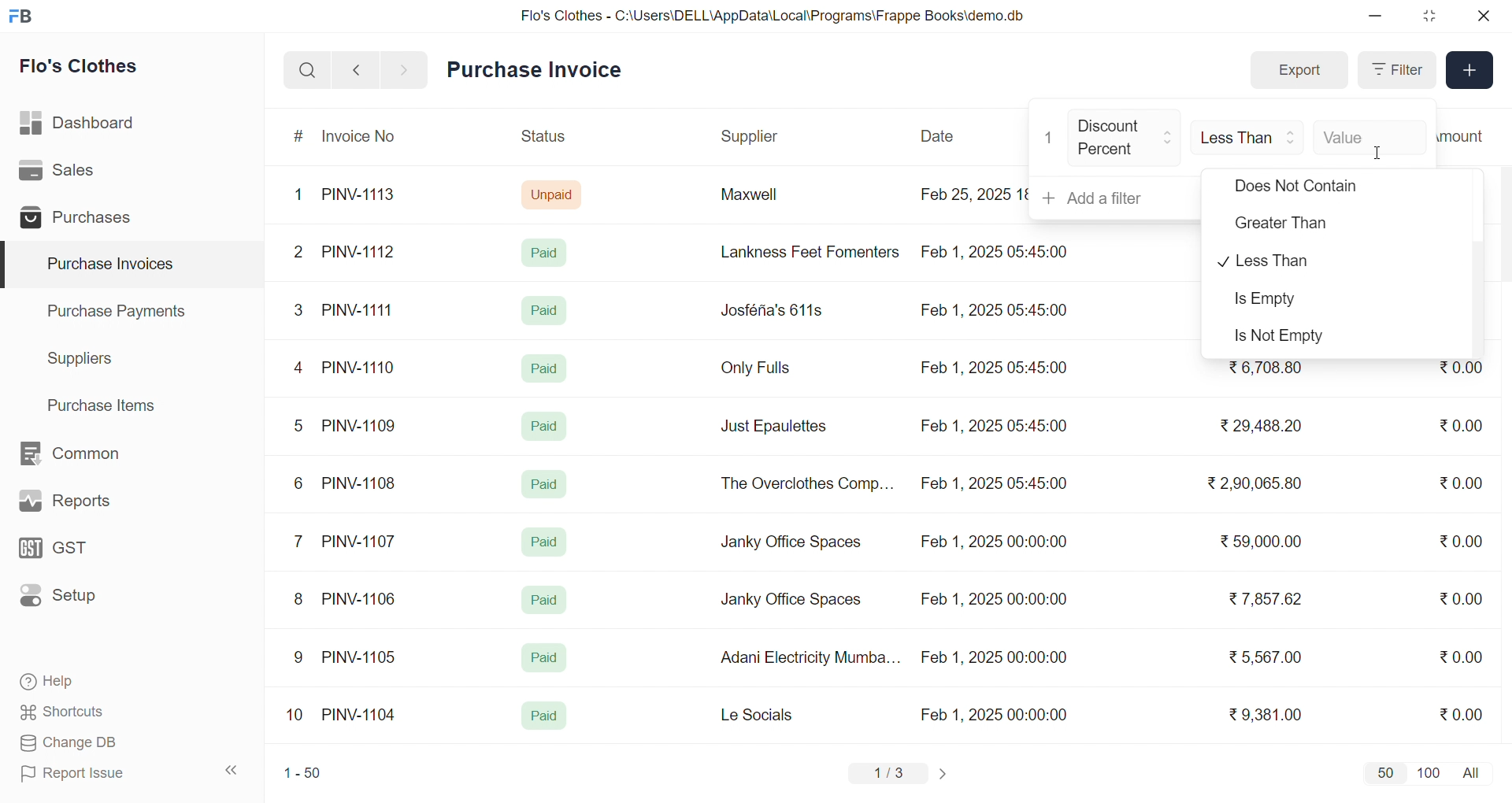 The image size is (1512, 803). I want to click on ₹9,381.00, so click(1266, 715).